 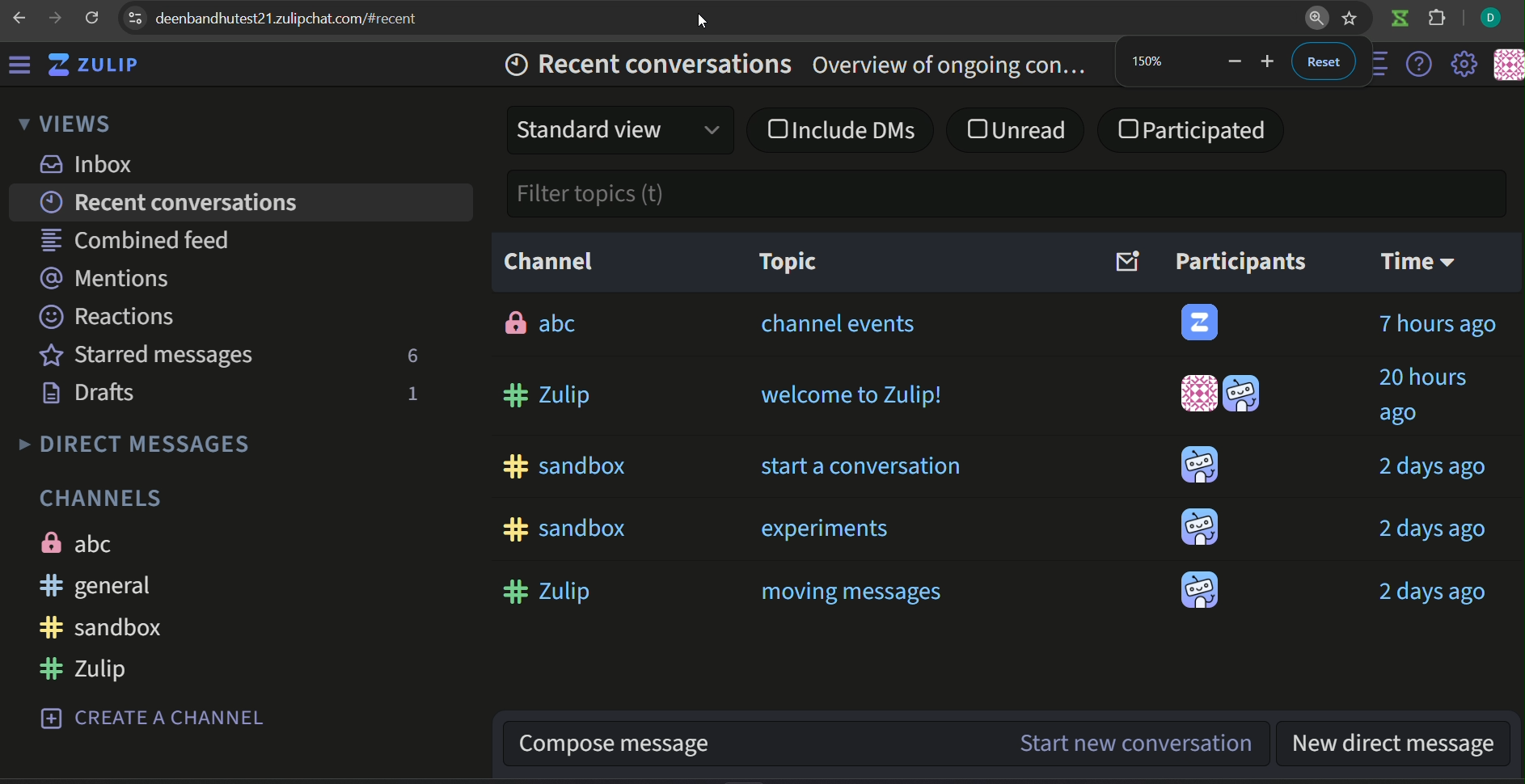 What do you see at coordinates (1400, 746) in the screenshot?
I see `New direct message` at bounding box center [1400, 746].